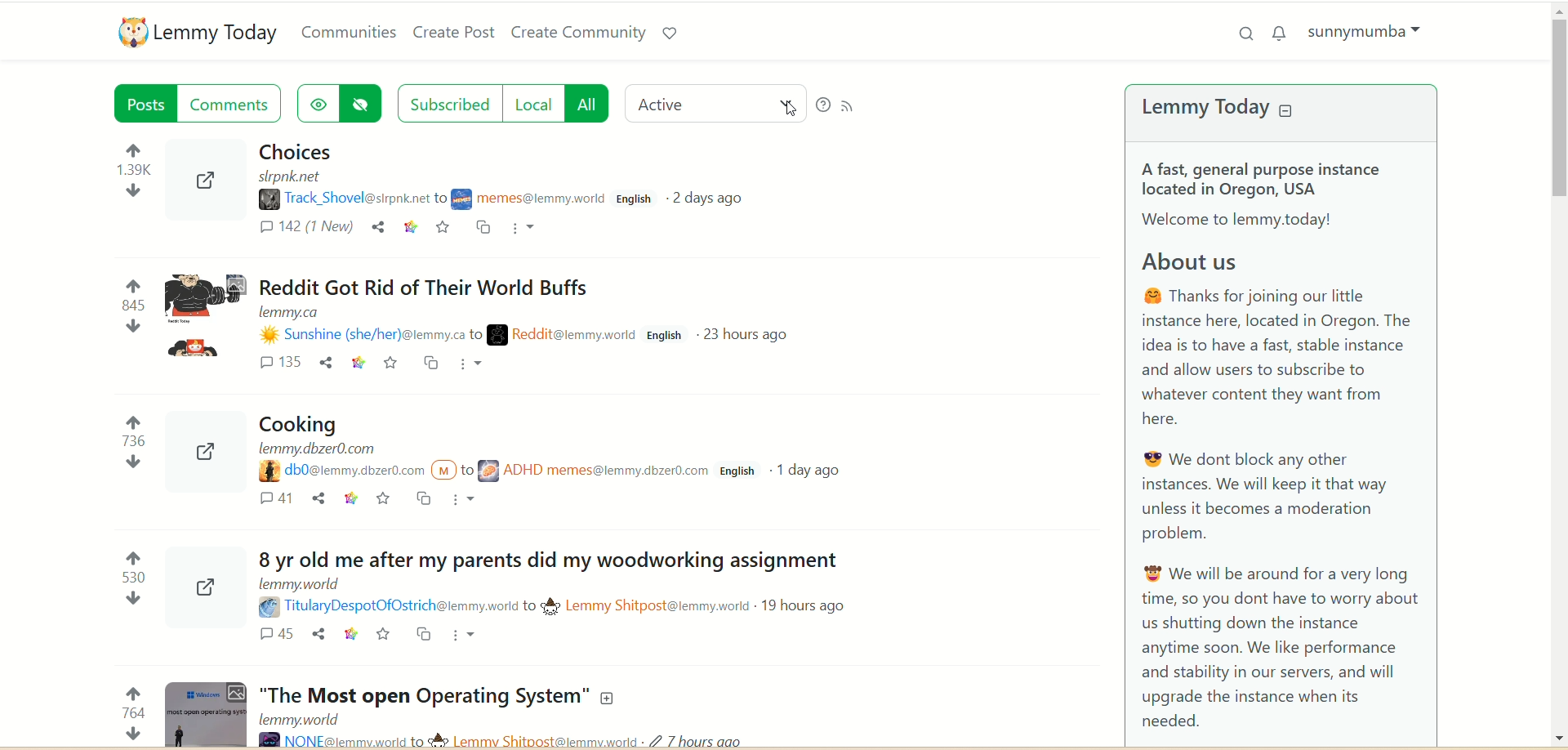 The width and height of the screenshot is (1568, 750). What do you see at coordinates (666, 337) in the screenshot?
I see `English` at bounding box center [666, 337].